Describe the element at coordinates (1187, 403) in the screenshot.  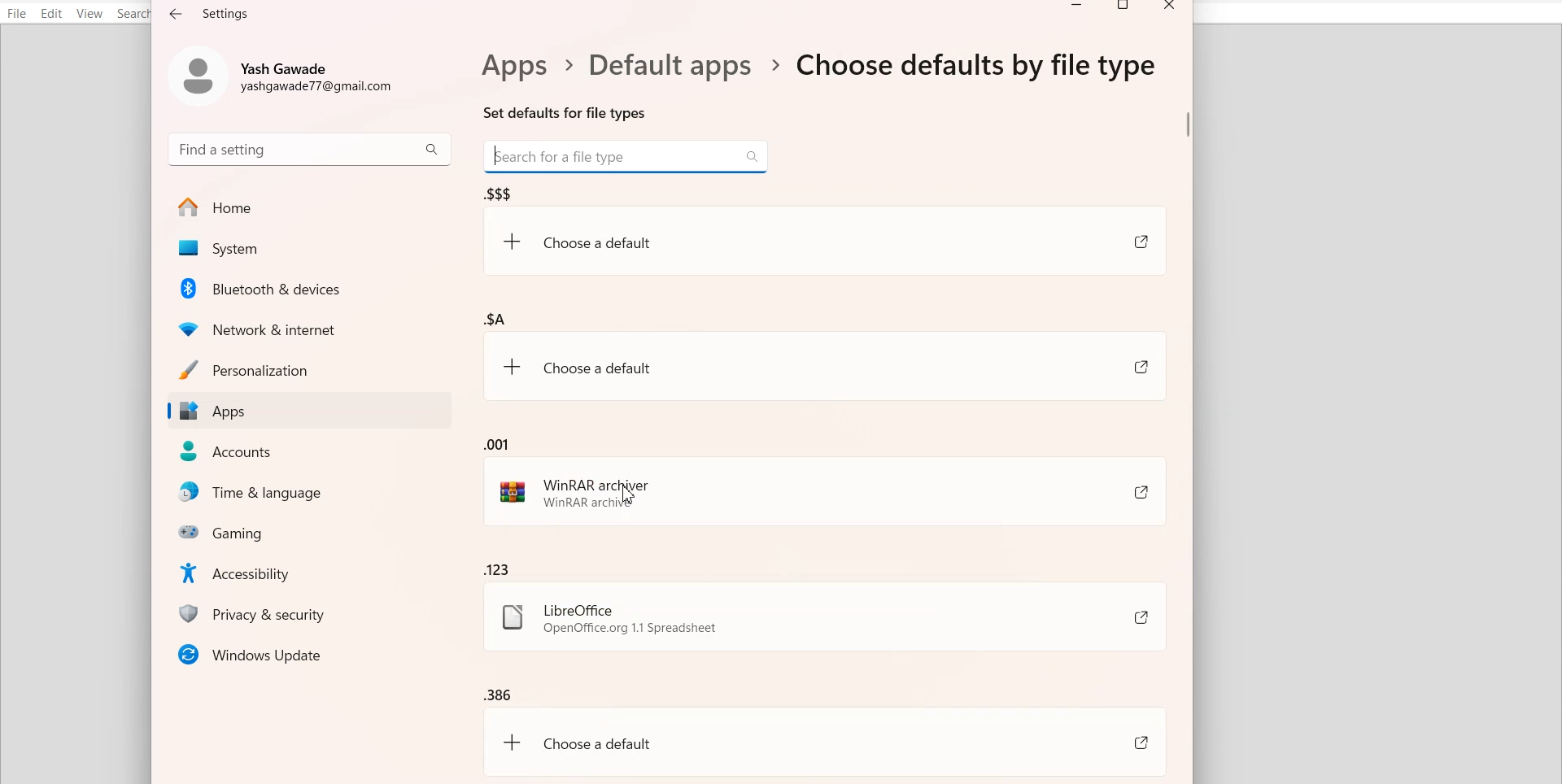
I see `Vertical scroll bar` at that location.